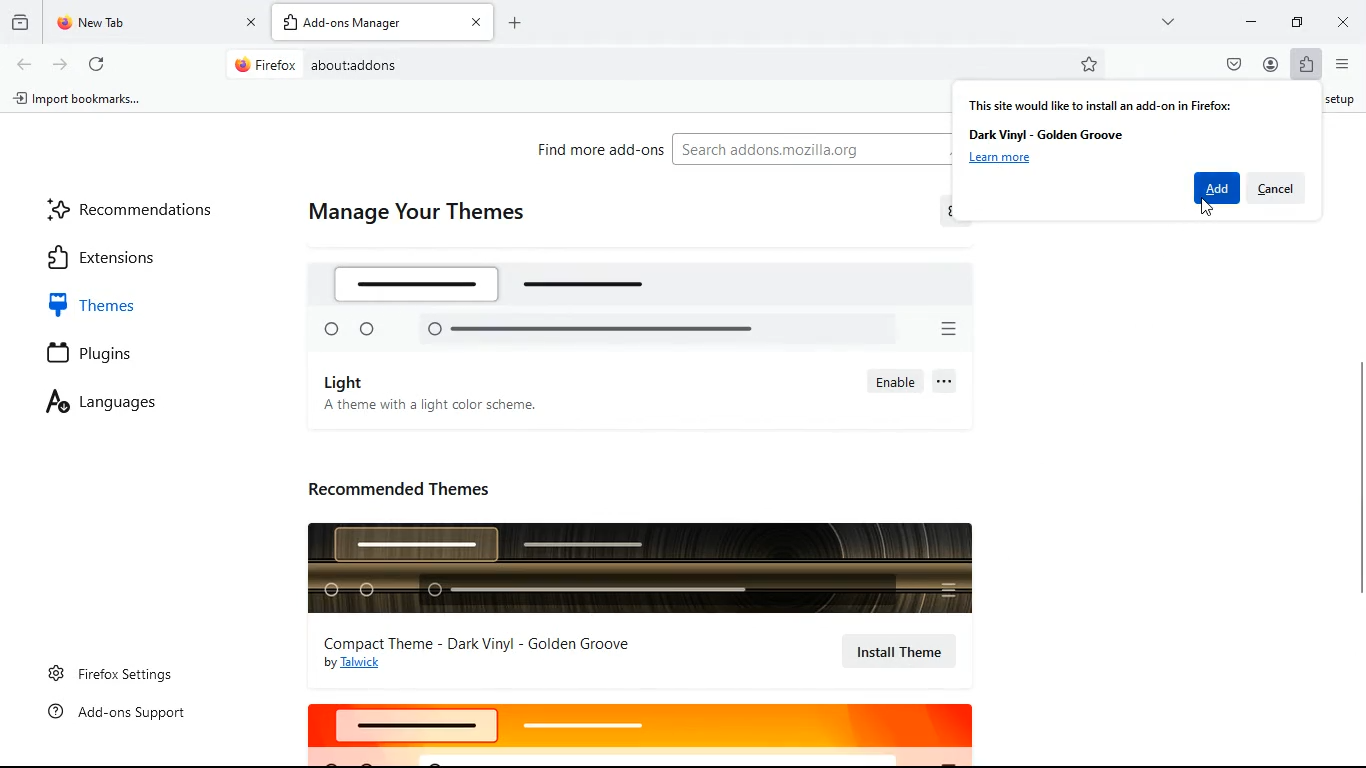 The width and height of the screenshot is (1366, 768). I want to click on firefox settings, so click(114, 673).